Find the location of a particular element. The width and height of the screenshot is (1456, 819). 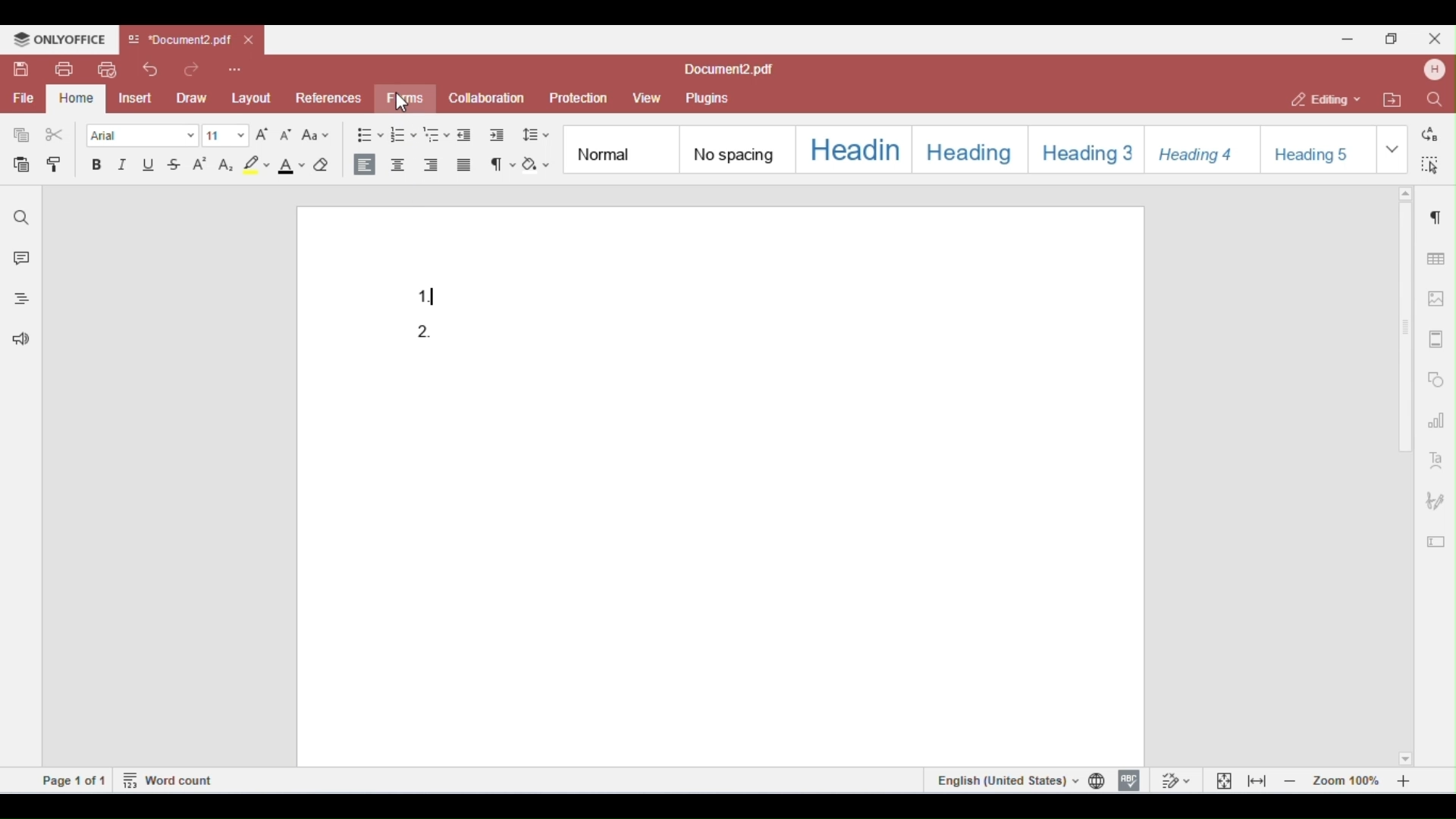

background color is located at coordinates (256, 165).